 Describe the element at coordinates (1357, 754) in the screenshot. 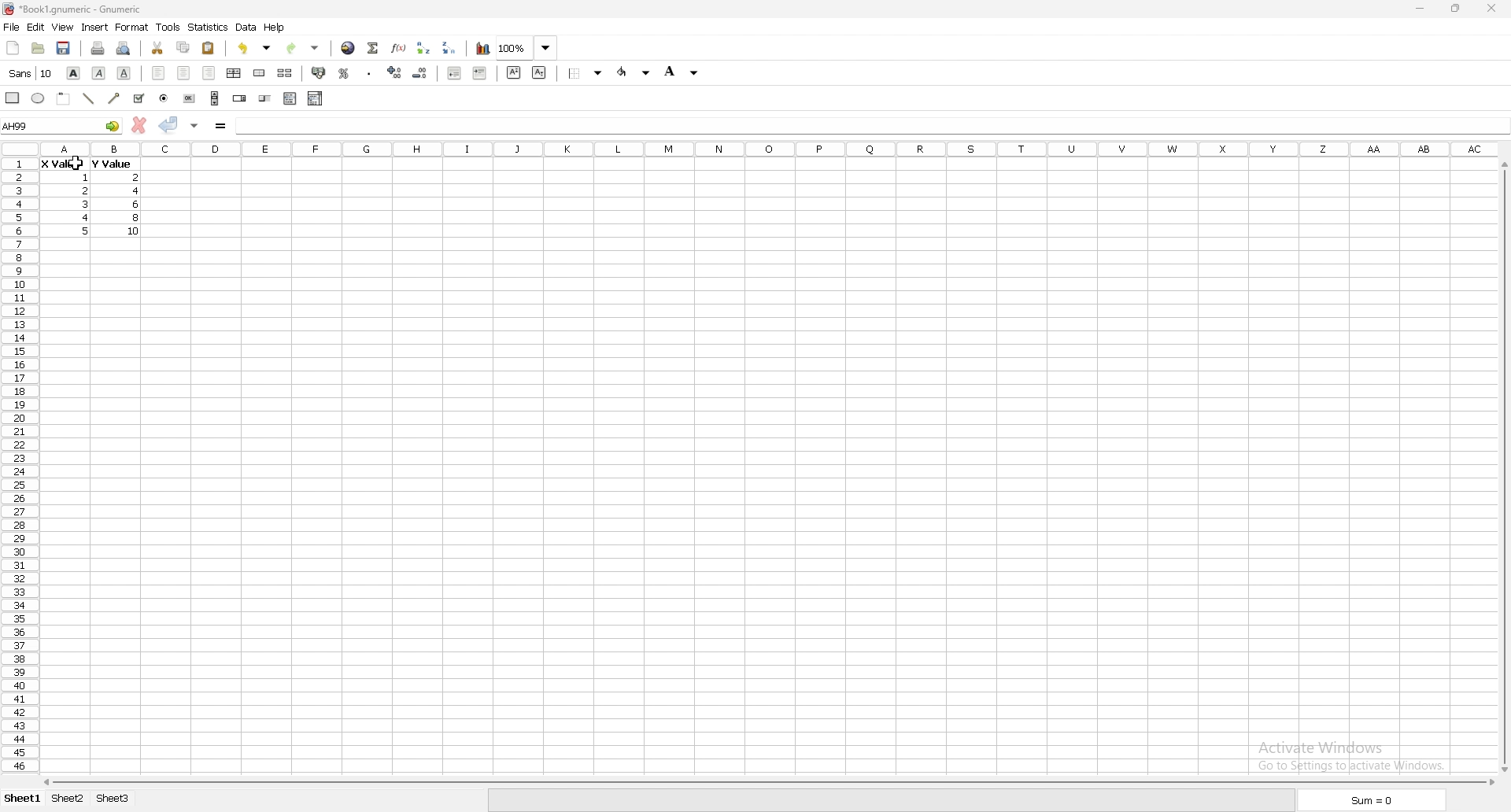

I see `activate windows` at that location.